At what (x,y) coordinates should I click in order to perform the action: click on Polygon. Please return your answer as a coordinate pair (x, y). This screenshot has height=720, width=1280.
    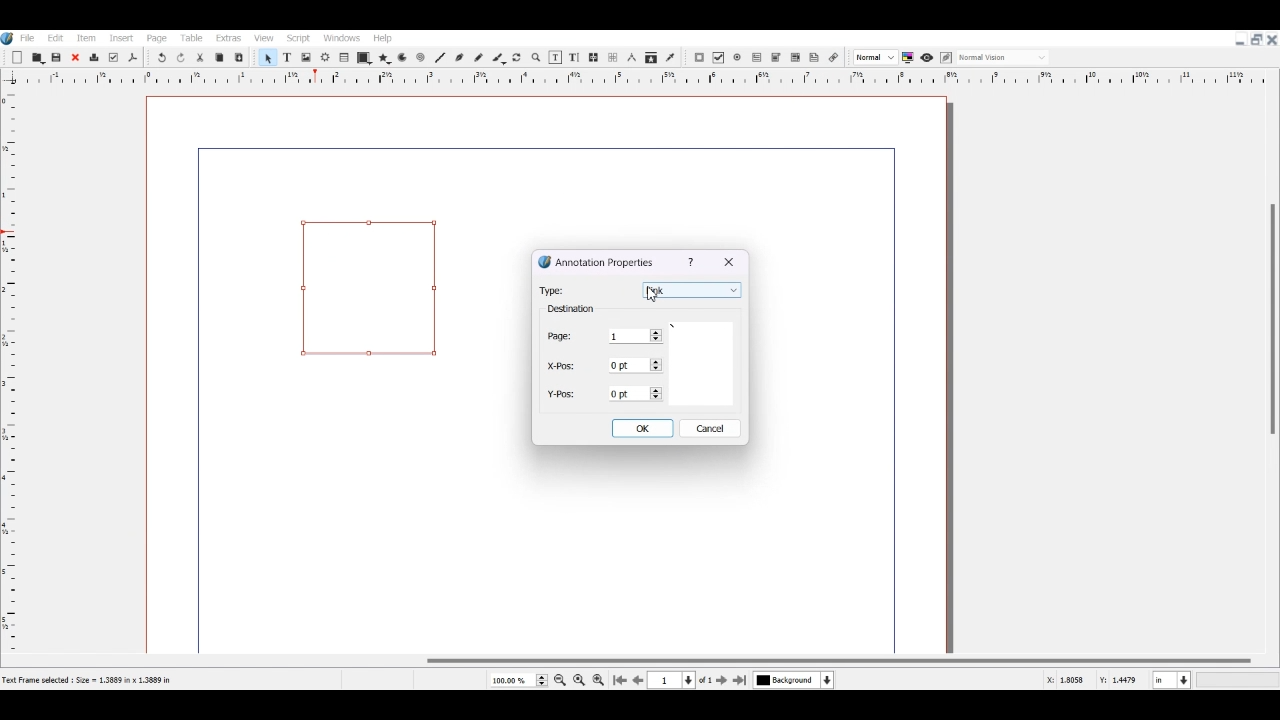
    Looking at the image, I should click on (384, 58).